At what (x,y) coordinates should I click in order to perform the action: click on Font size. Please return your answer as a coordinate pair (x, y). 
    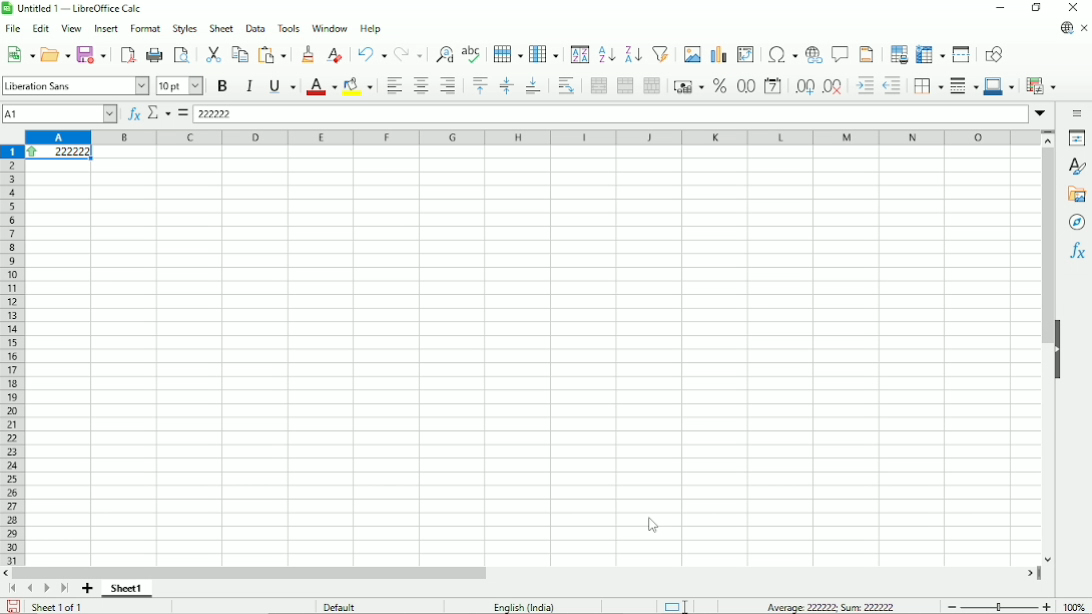
    Looking at the image, I should click on (178, 86).